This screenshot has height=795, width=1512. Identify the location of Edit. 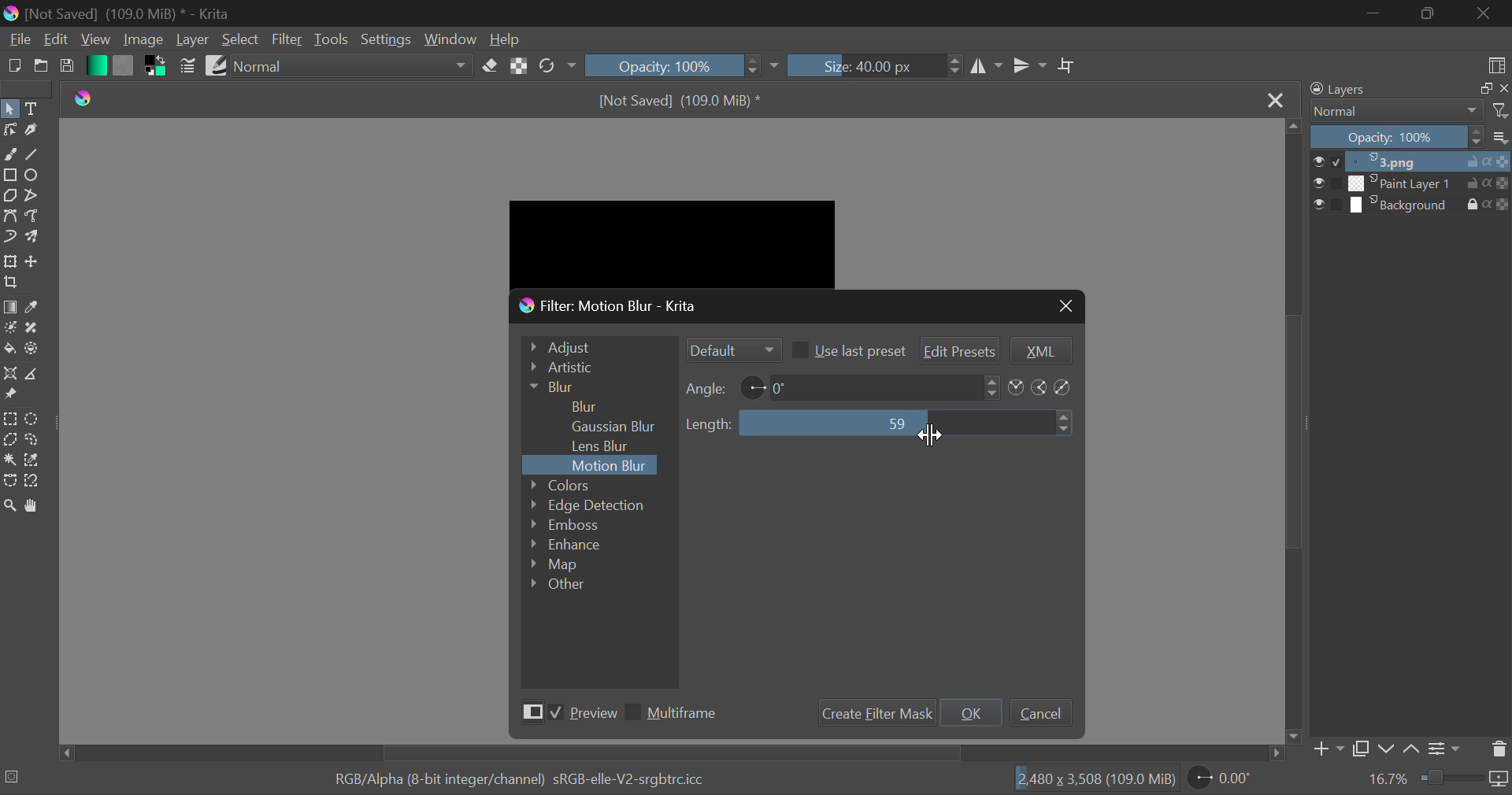
(57, 39).